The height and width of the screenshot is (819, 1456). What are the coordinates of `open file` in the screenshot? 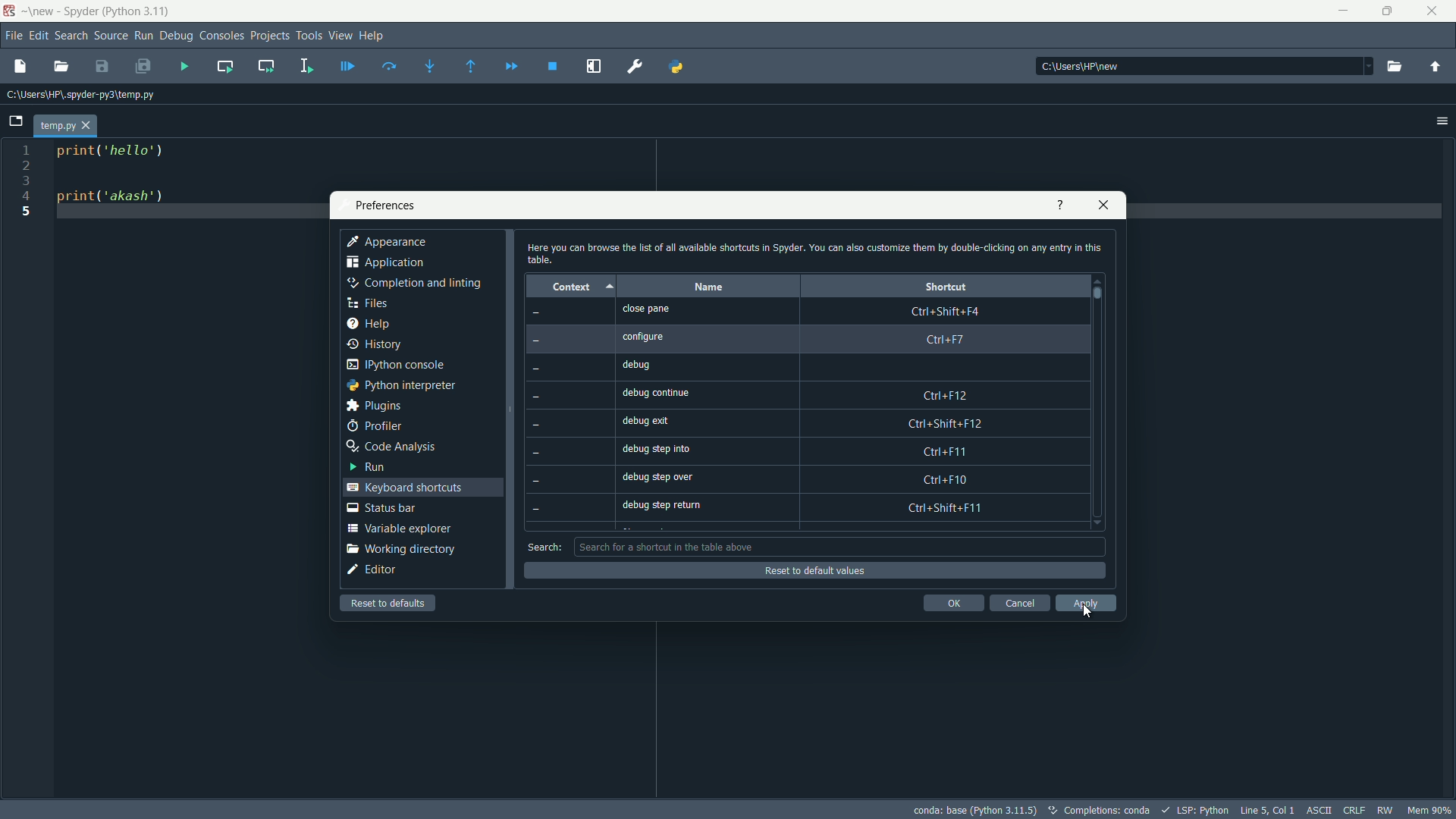 It's located at (61, 67).